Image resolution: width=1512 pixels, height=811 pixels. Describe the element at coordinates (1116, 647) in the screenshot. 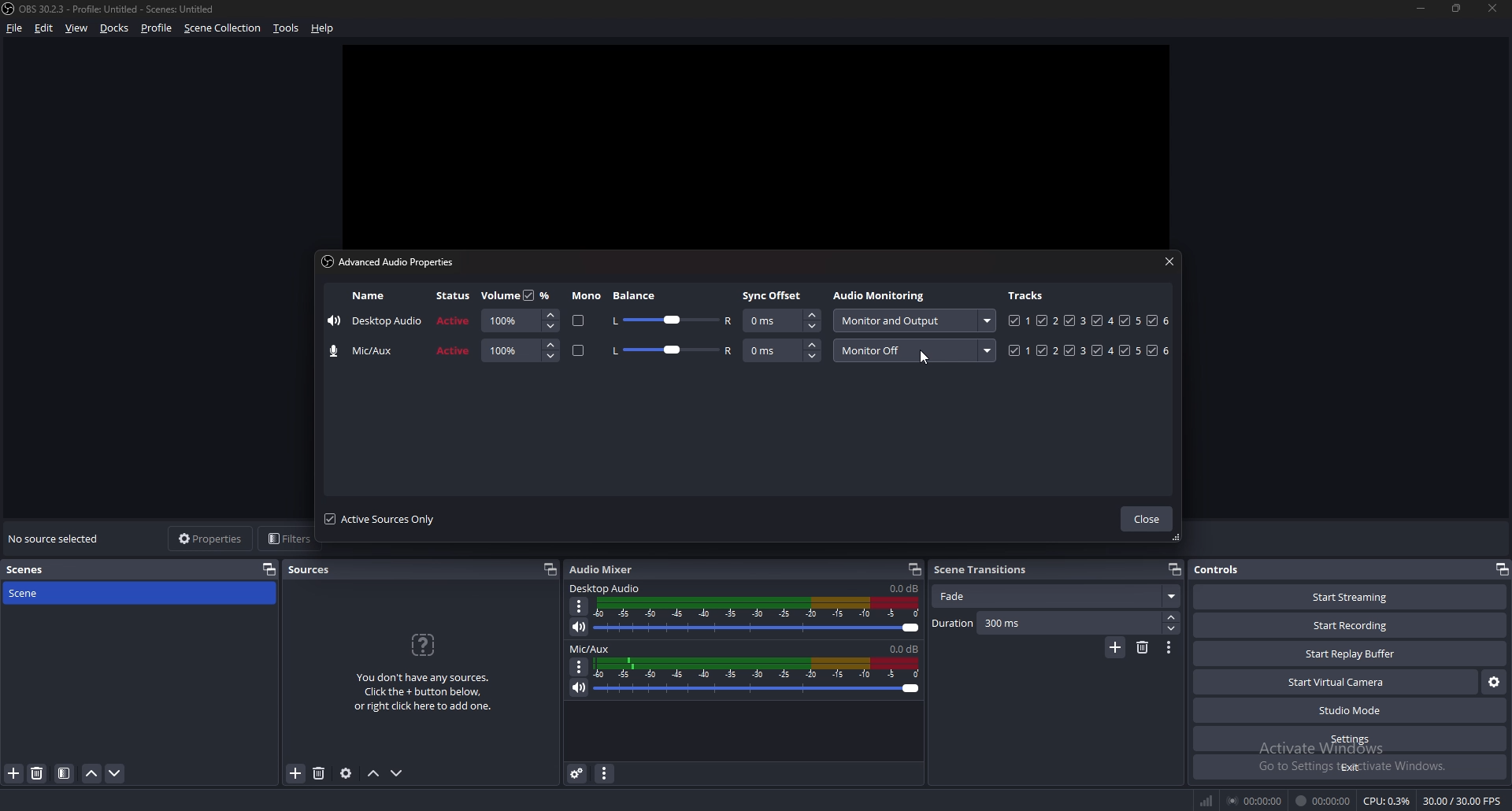

I see `add transition` at that location.